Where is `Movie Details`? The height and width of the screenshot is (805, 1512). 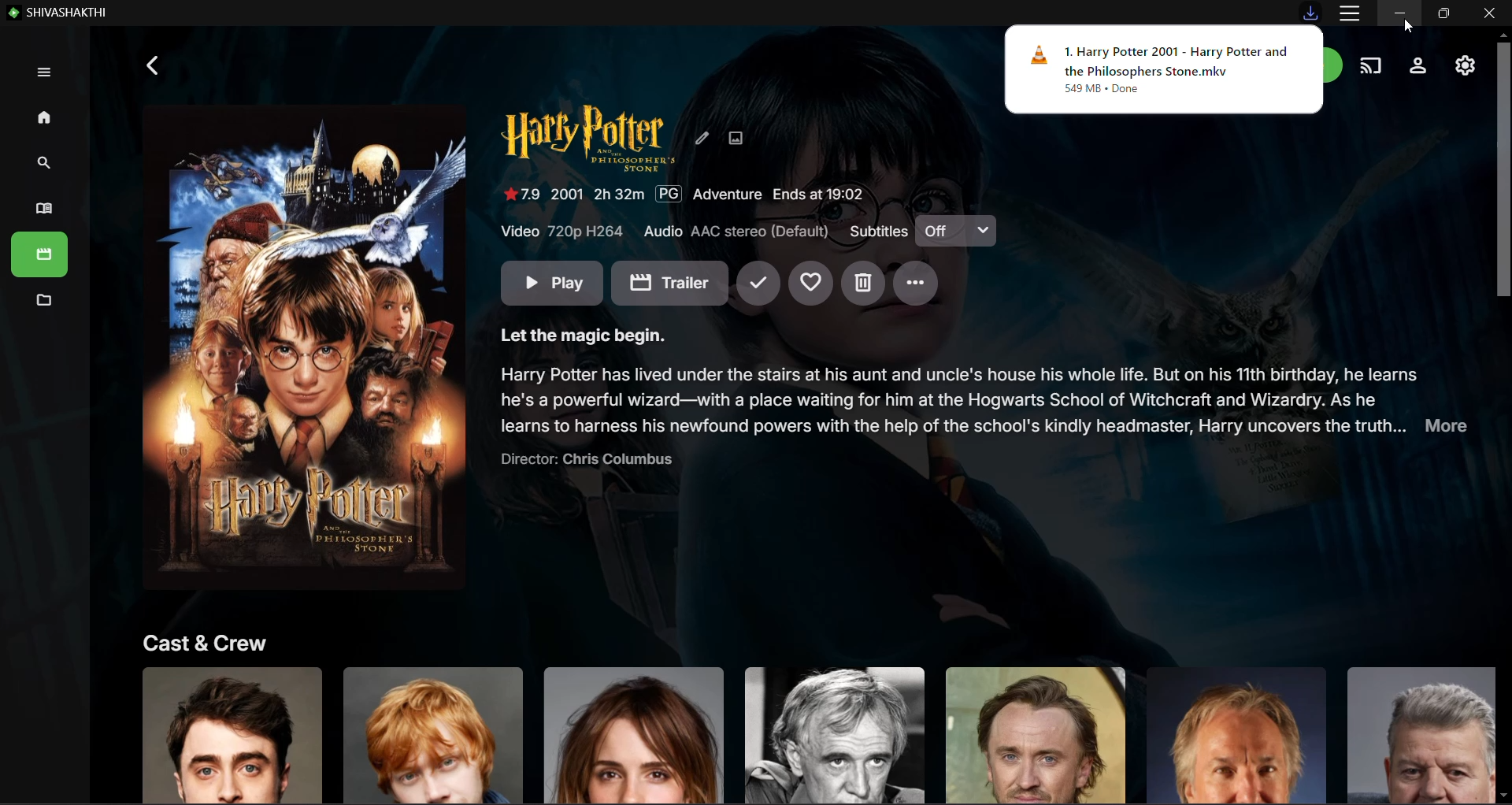
Movie Details is located at coordinates (684, 195).